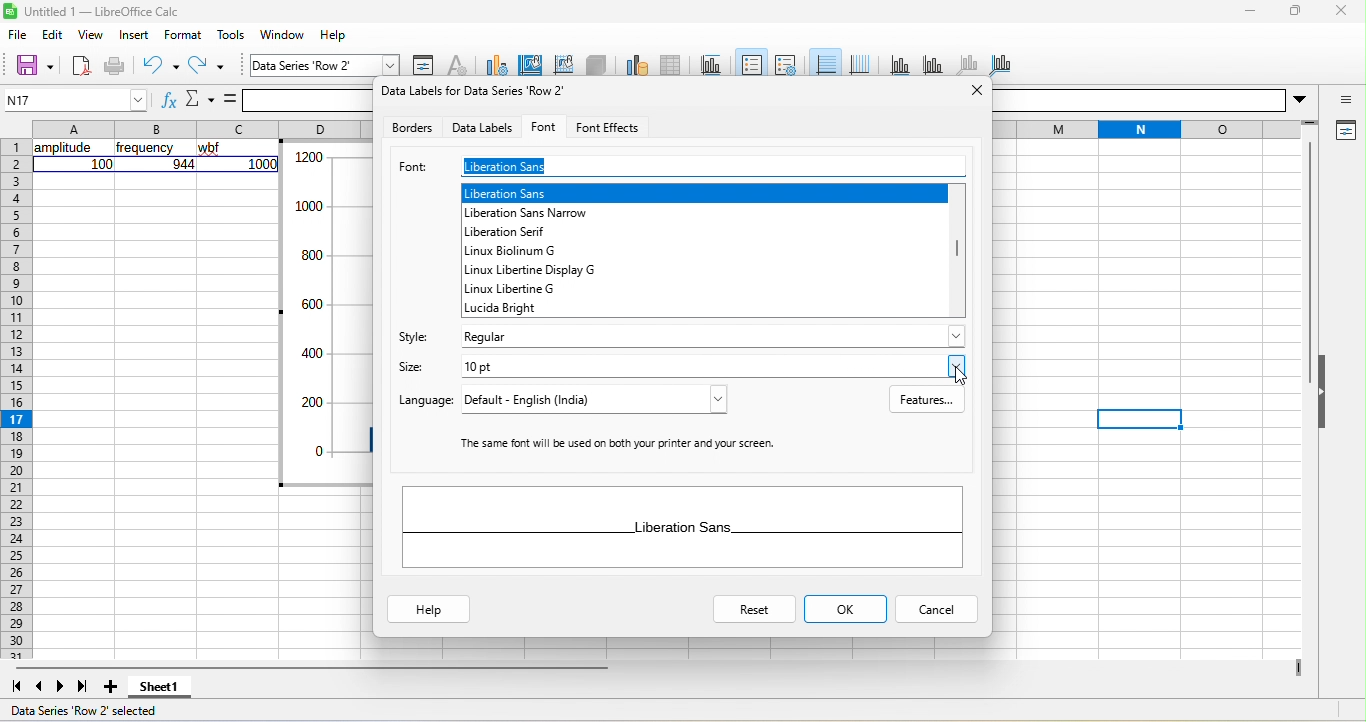 The width and height of the screenshot is (1366, 722). What do you see at coordinates (307, 62) in the screenshot?
I see `data series row 2` at bounding box center [307, 62].